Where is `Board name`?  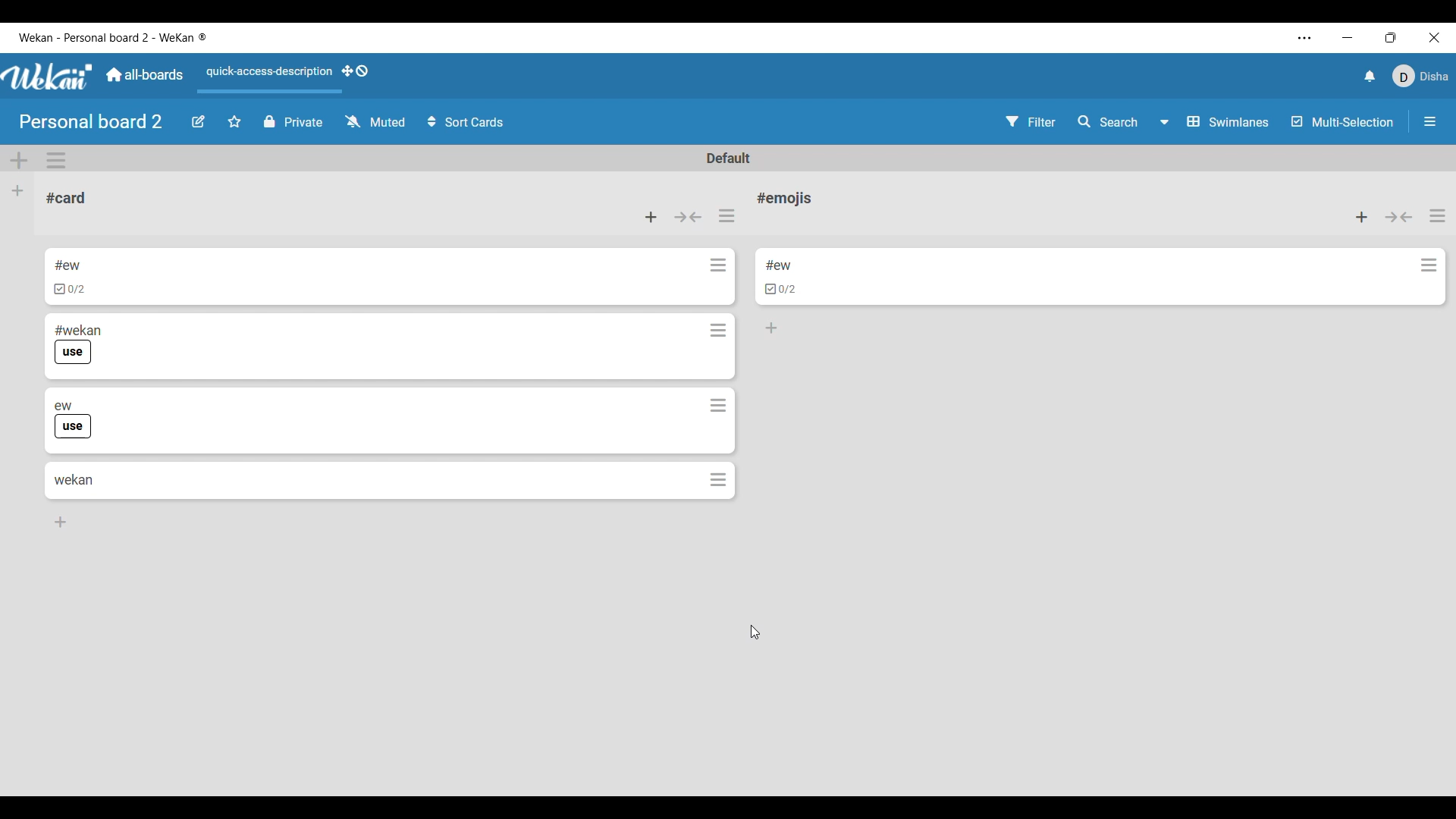
Board name is located at coordinates (93, 121).